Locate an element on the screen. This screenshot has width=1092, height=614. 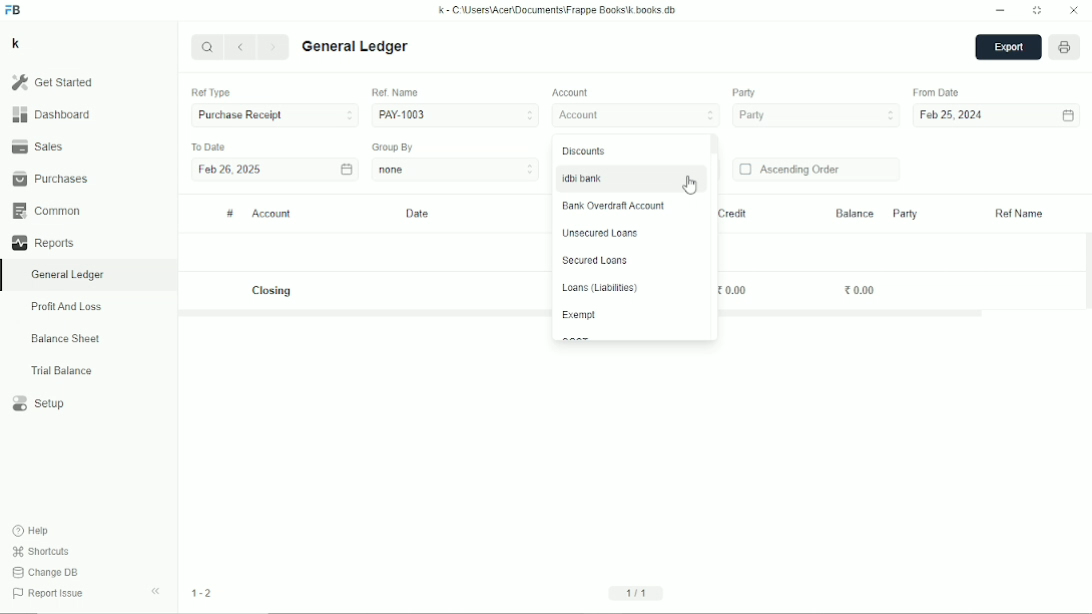
Calendar is located at coordinates (1068, 116).